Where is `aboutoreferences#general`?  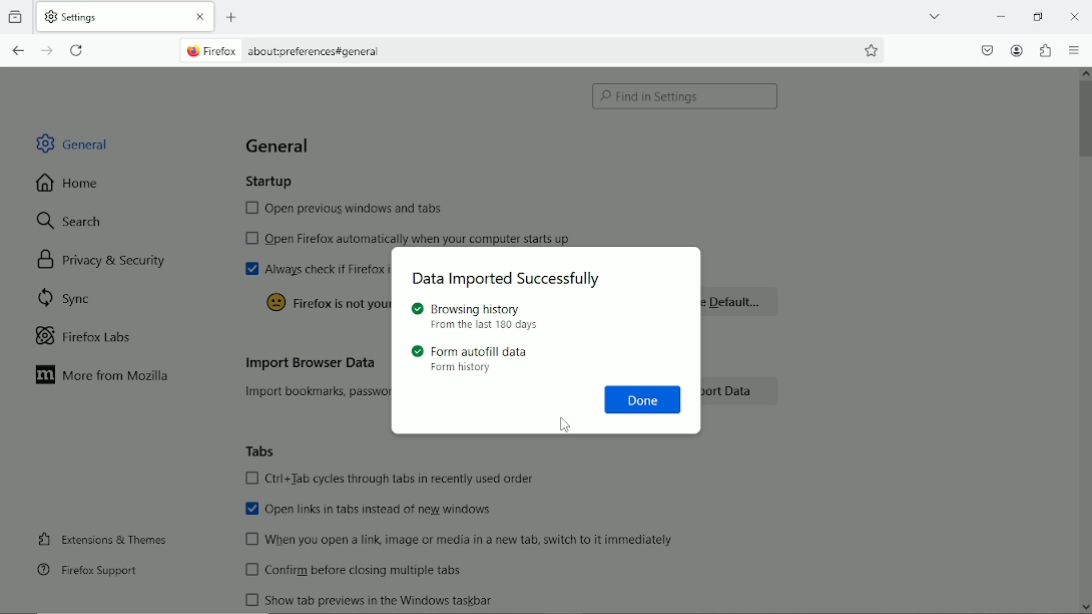
aboutoreferences#general is located at coordinates (314, 52).